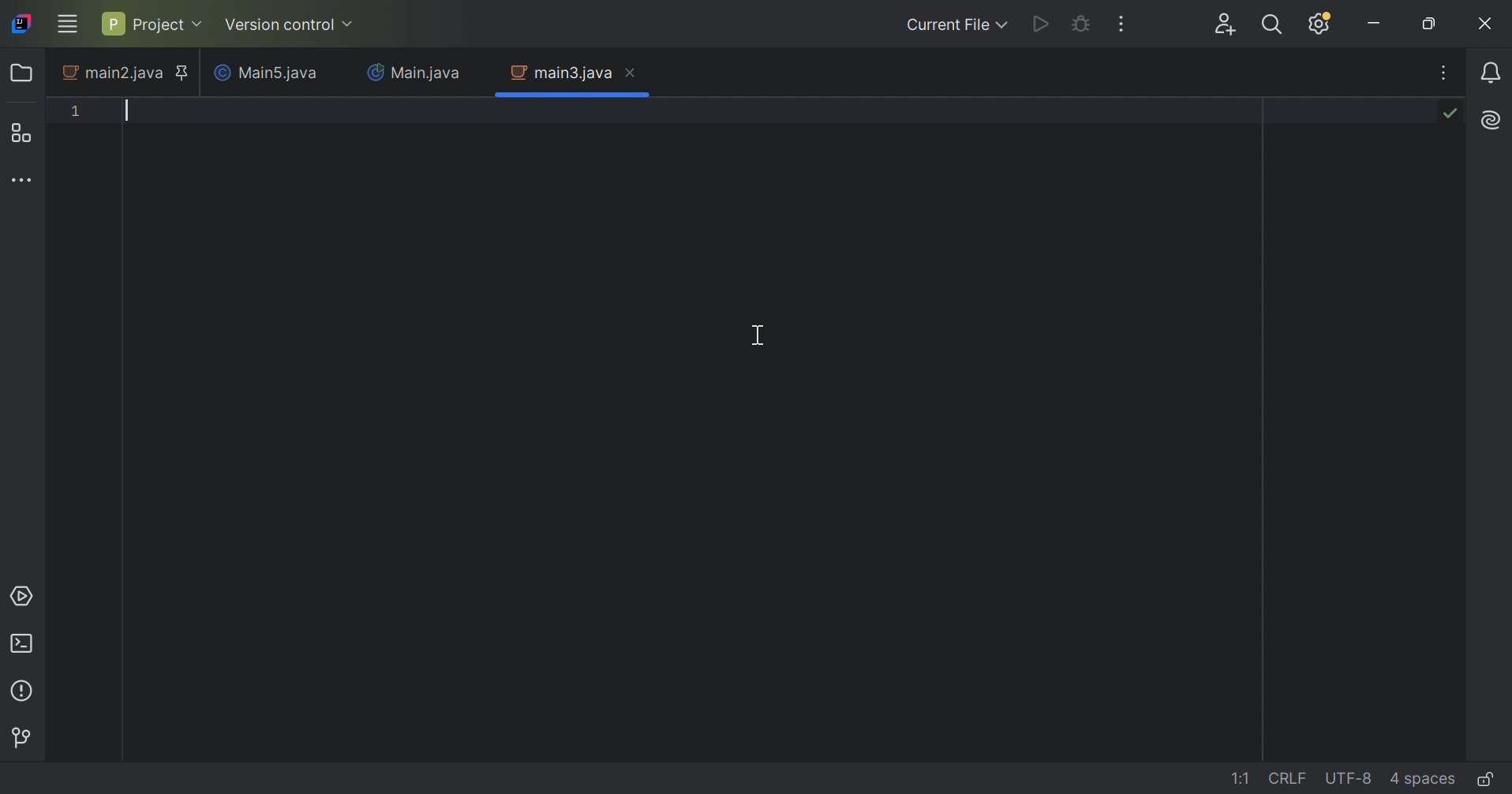 This screenshot has width=1512, height=794. What do you see at coordinates (1225, 24) in the screenshot?
I see `Search everywhere` at bounding box center [1225, 24].